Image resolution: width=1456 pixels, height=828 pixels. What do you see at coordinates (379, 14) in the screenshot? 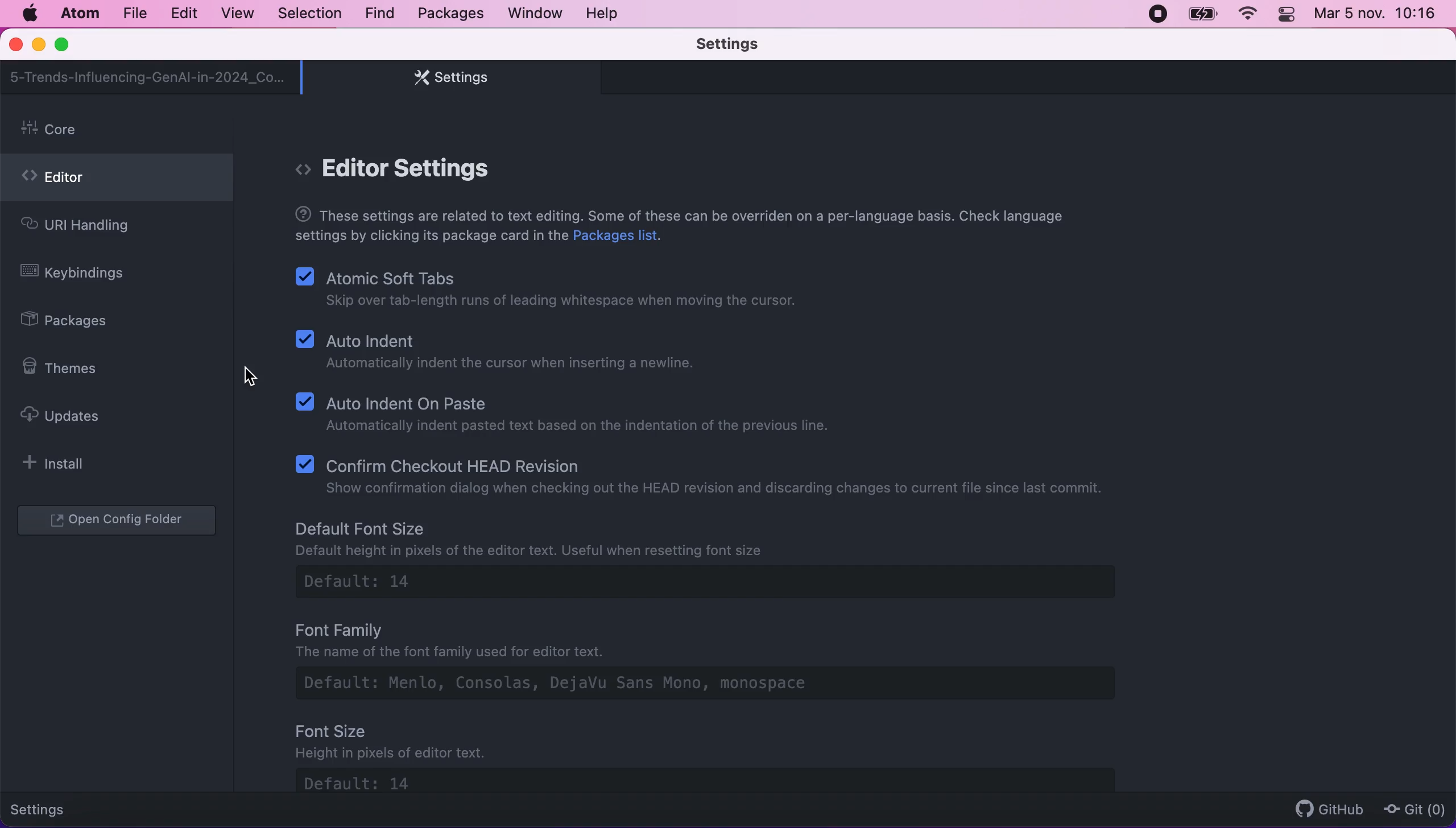
I see `find` at bounding box center [379, 14].